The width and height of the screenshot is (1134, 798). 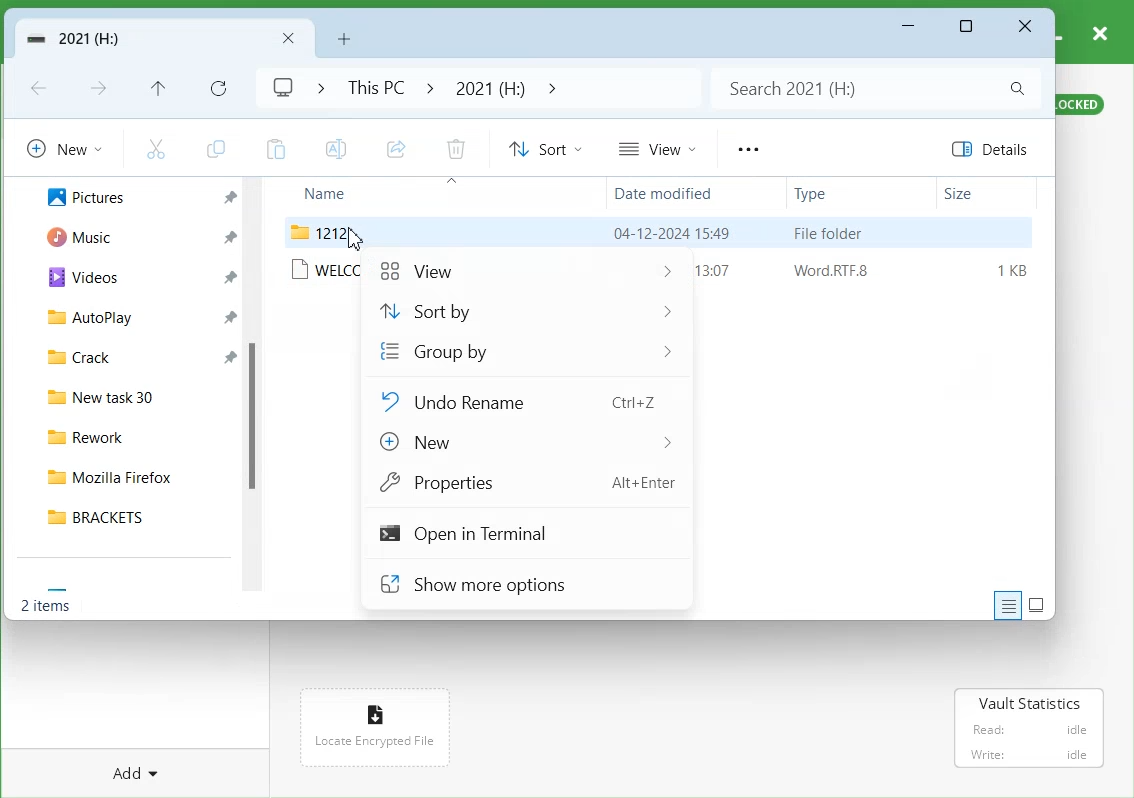 I want to click on Refresh, so click(x=217, y=87).